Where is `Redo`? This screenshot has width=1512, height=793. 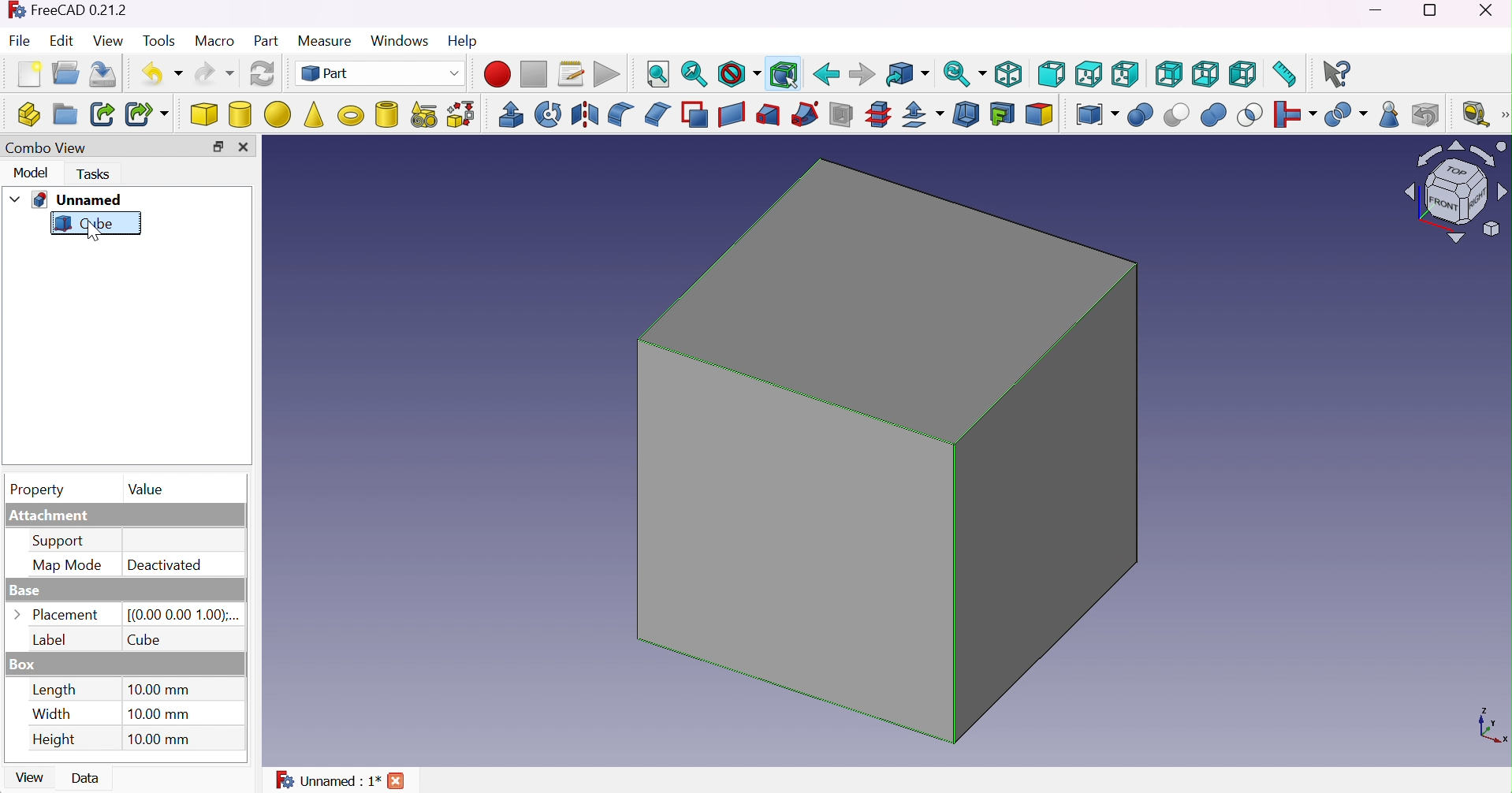
Redo is located at coordinates (213, 75).